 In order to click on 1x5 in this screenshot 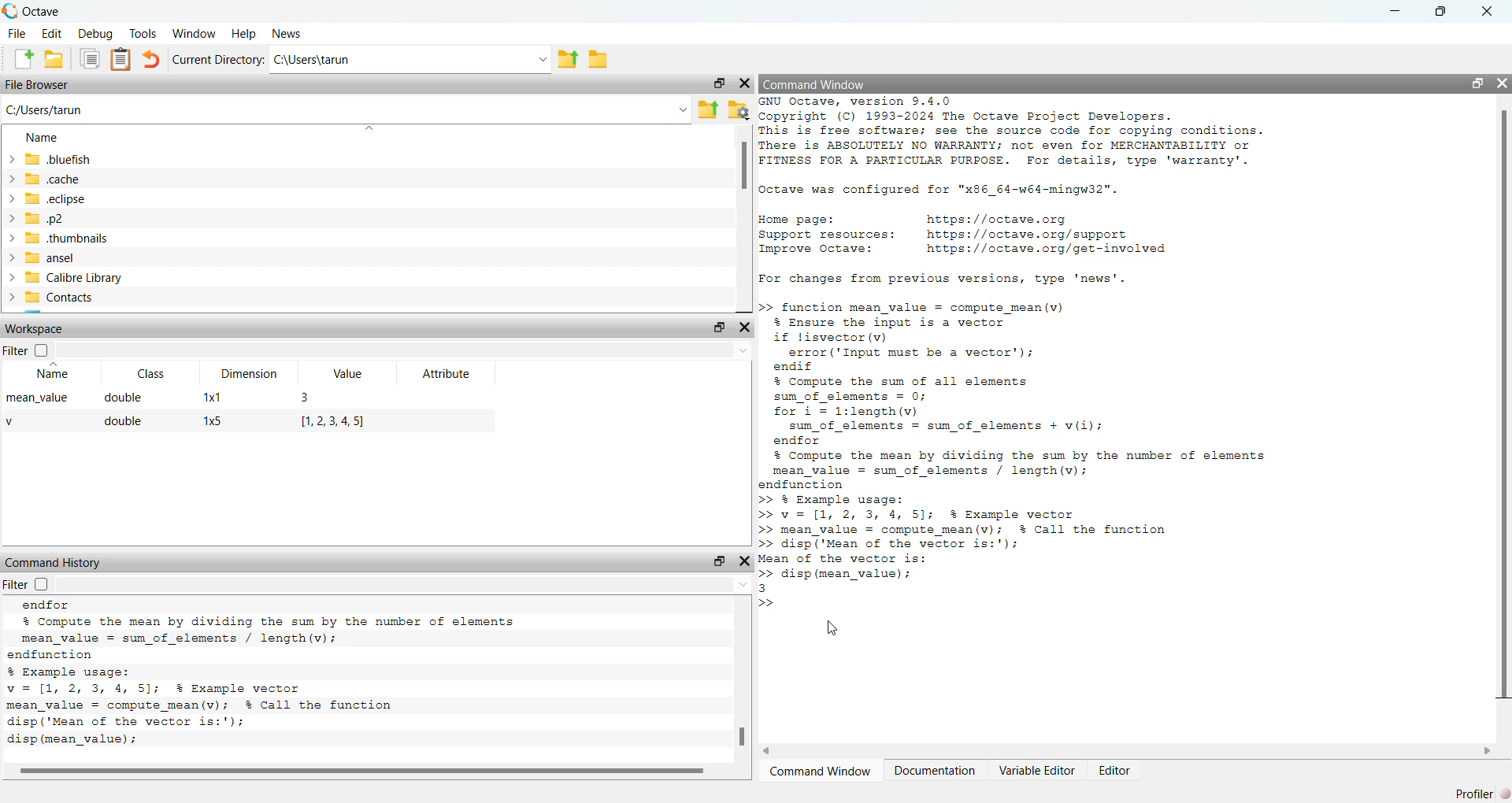, I will do `click(213, 421)`.